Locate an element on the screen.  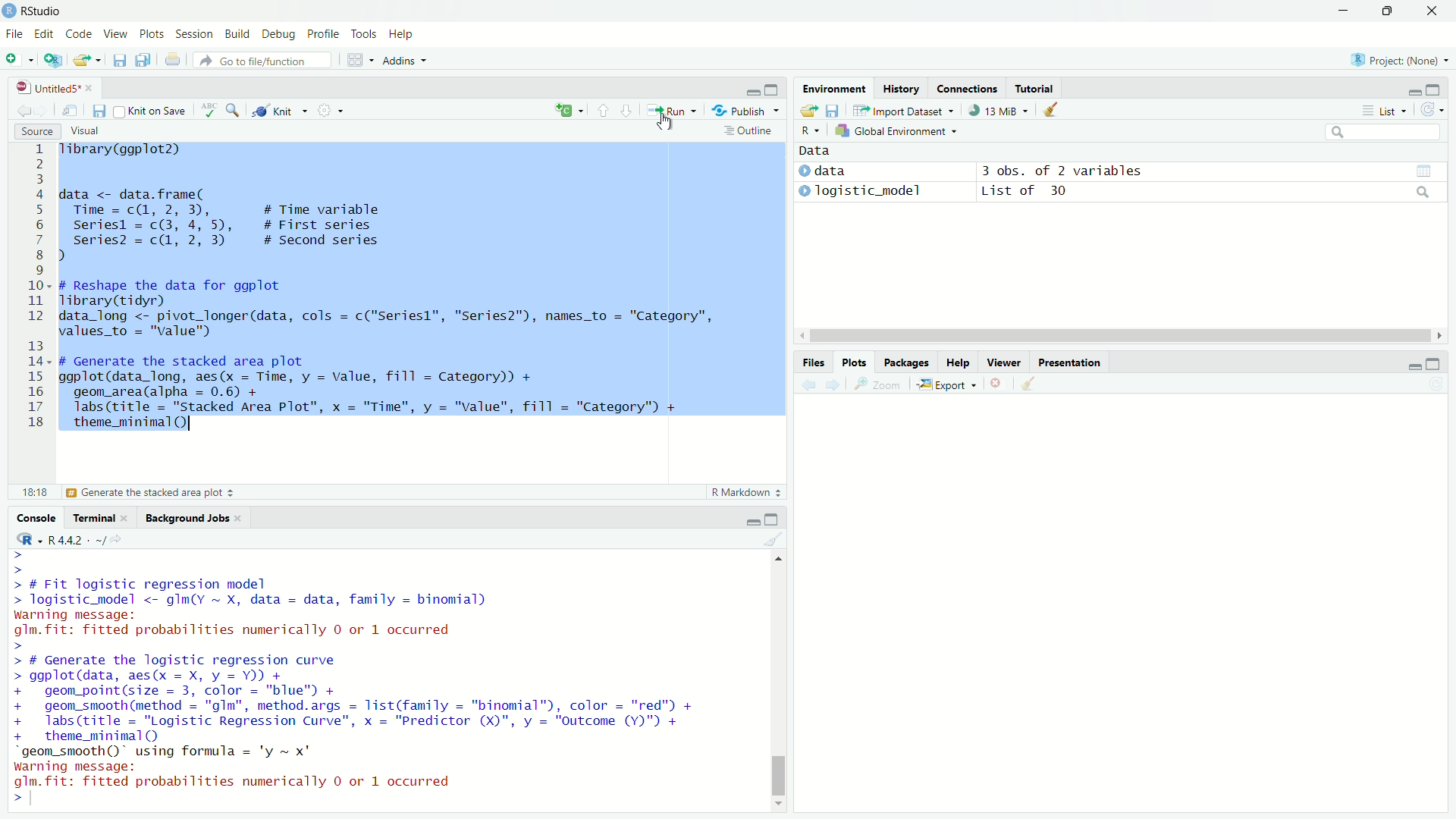
Viewer is located at coordinates (1003, 362).